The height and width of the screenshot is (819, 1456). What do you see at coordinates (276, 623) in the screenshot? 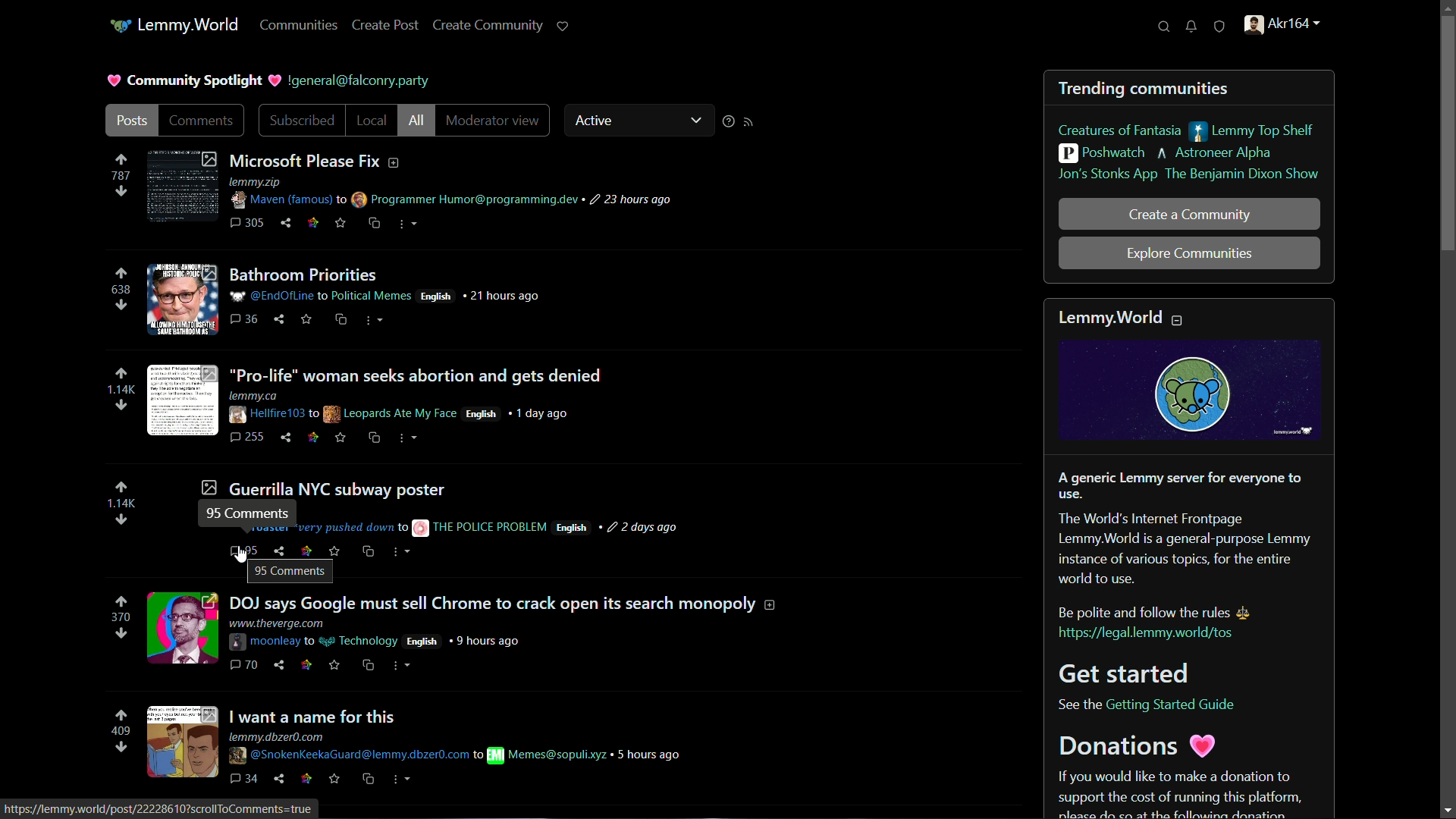
I see `www.theverge.com` at bounding box center [276, 623].